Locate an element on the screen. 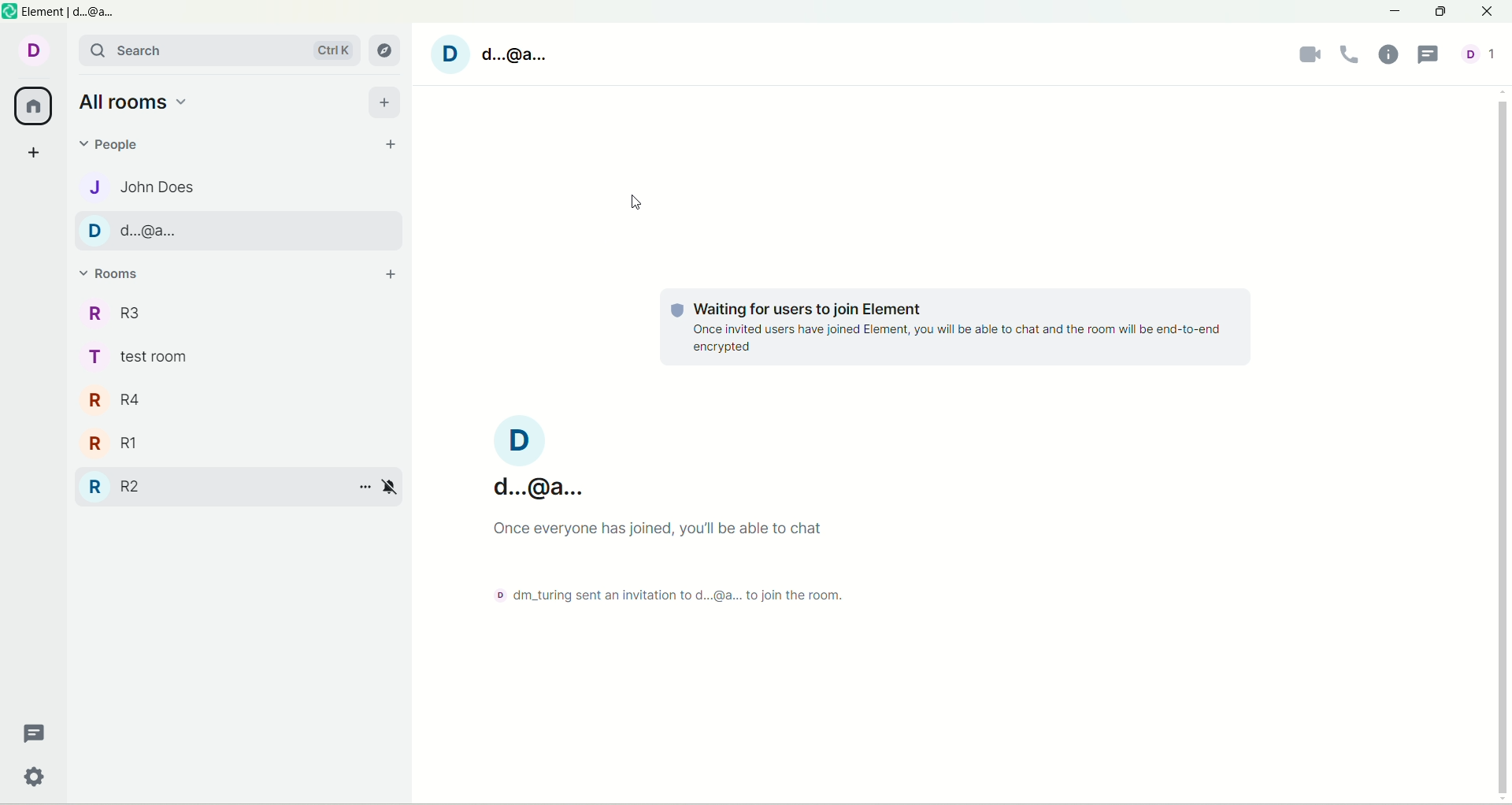 This screenshot has width=1512, height=805. search is located at coordinates (217, 49).